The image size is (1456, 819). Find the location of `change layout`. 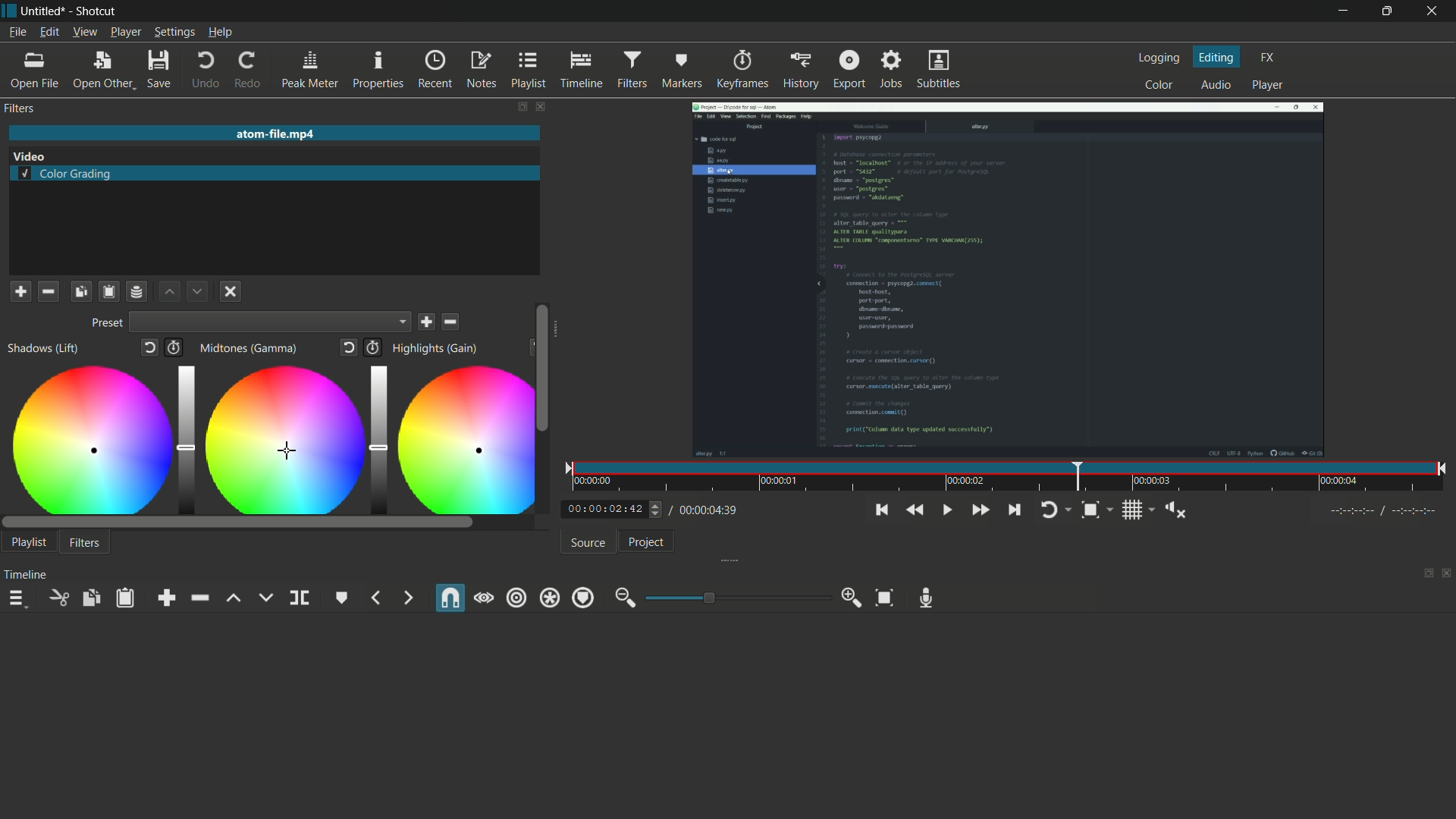

change layout is located at coordinates (1423, 574).